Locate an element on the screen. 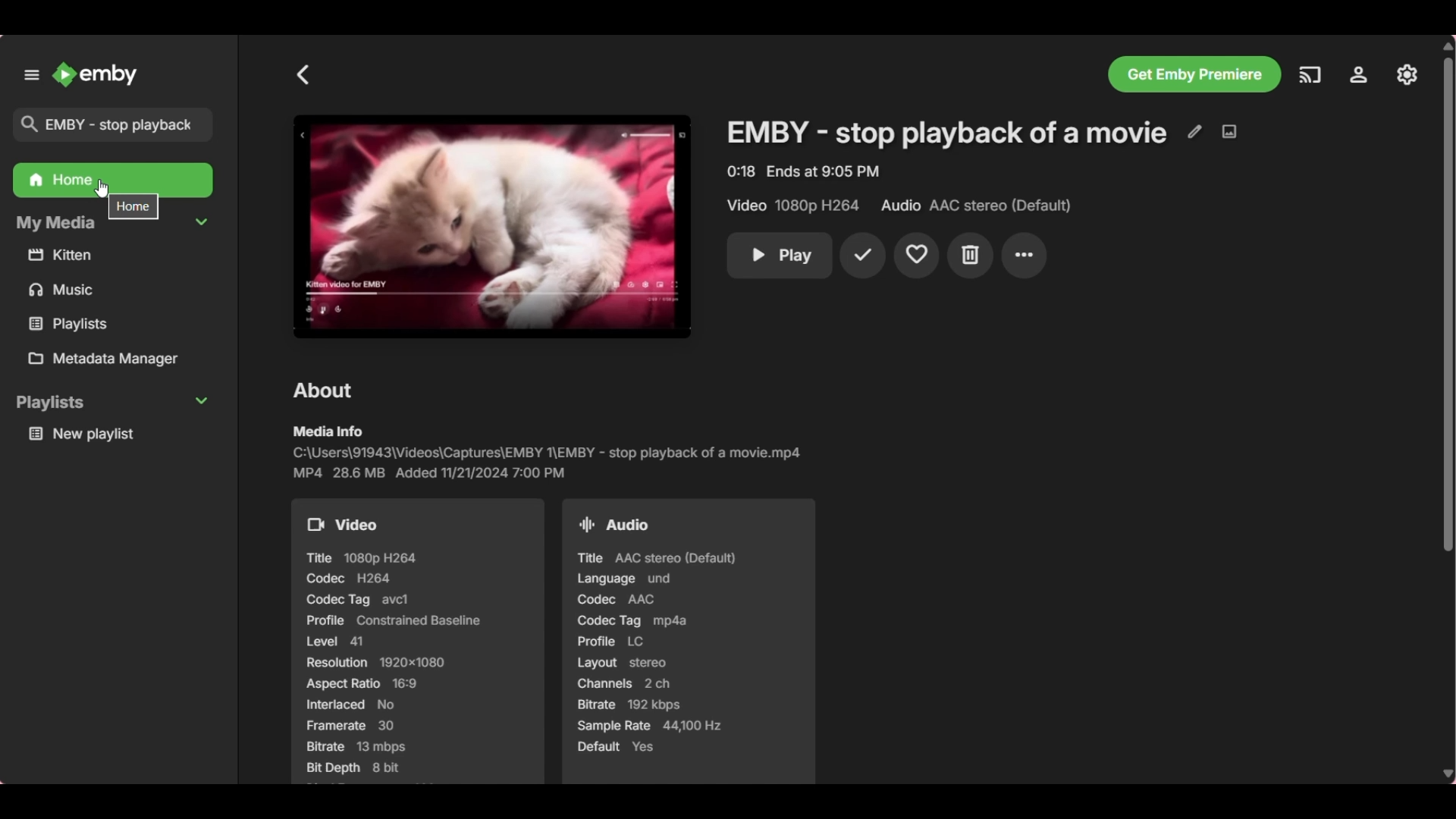 The height and width of the screenshot is (819, 1456). playlists is located at coordinates (106, 323).